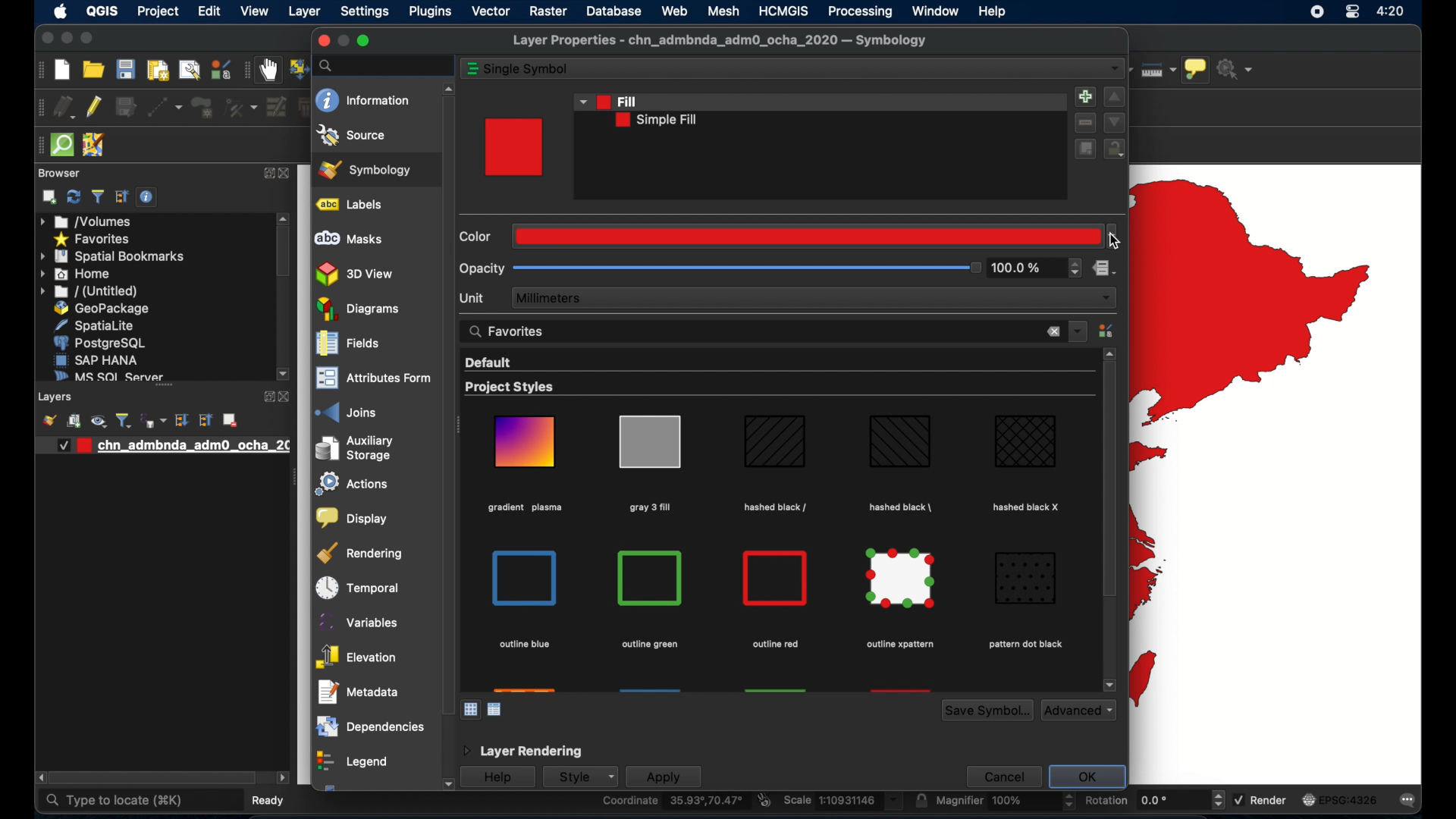 This screenshot has width=1456, height=819. Describe the element at coordinates (521, 752) in the screenshot. I see `layer rendering` at that location.